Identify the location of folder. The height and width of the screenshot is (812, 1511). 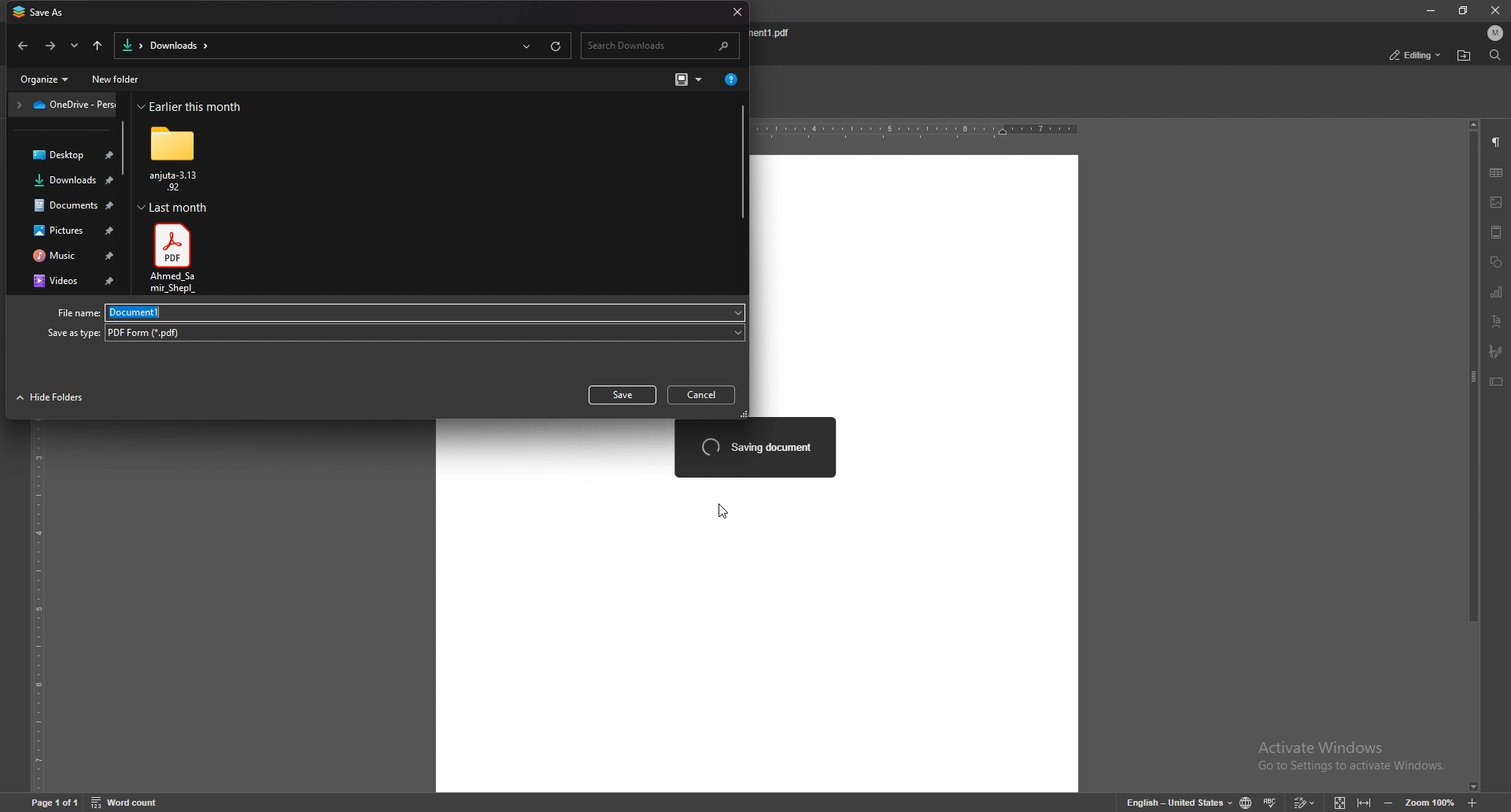
(176, 157).